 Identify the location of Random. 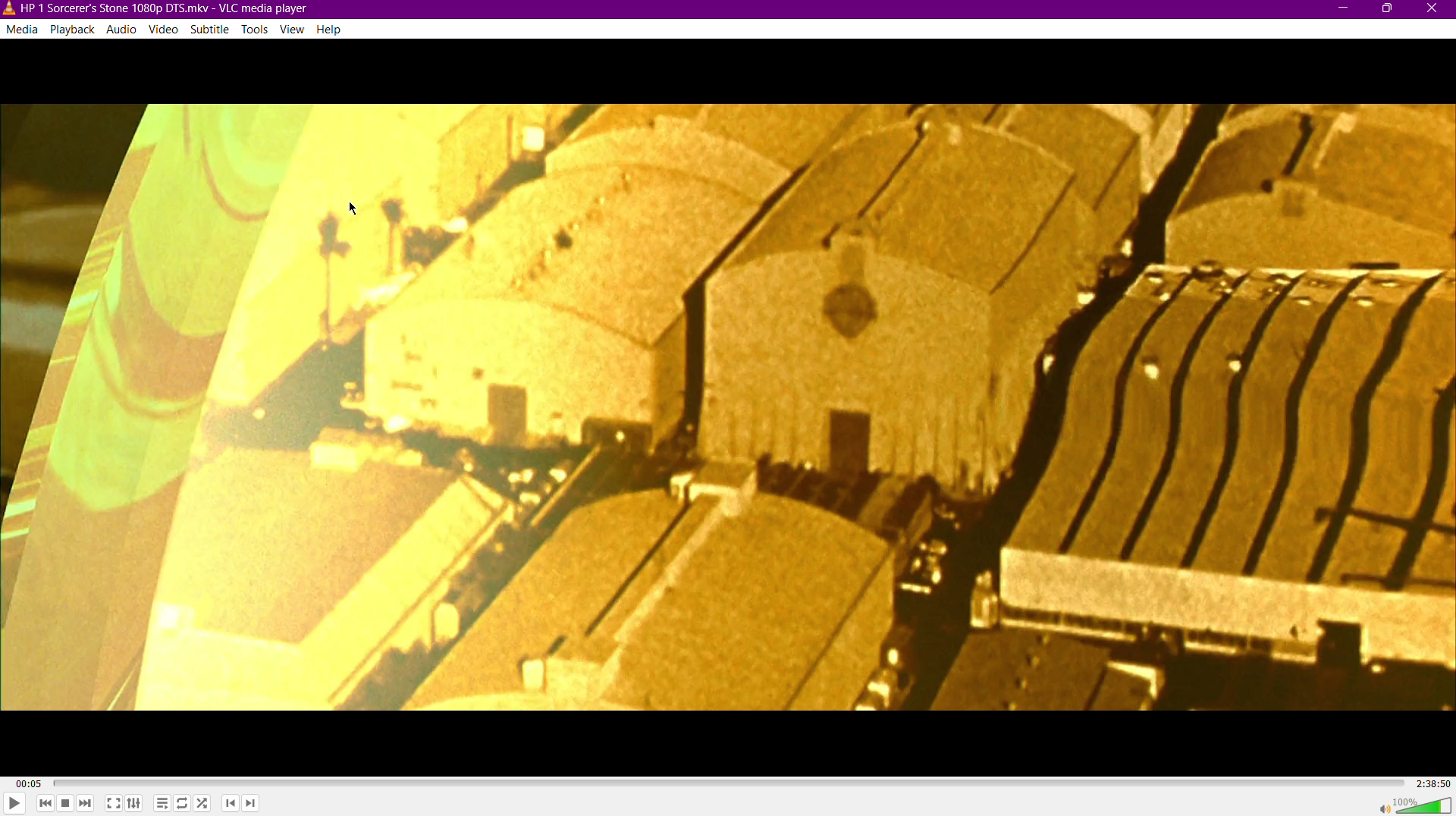
(202, 804).